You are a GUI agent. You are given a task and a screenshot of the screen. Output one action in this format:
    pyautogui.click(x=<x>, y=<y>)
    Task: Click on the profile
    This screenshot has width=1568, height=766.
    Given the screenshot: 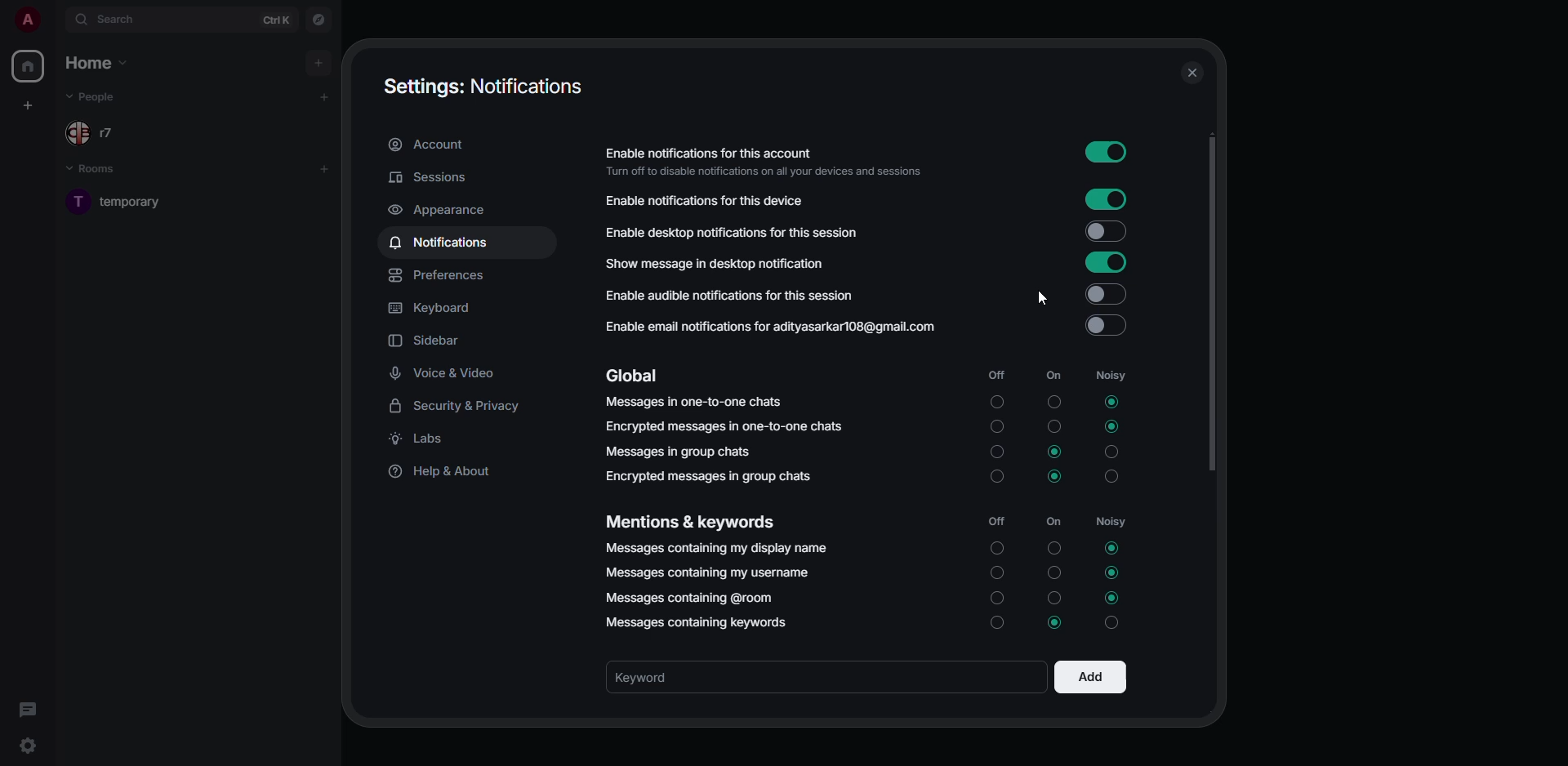 What is the action you would take?
    pyautogui.click(x=26, y=19)
    